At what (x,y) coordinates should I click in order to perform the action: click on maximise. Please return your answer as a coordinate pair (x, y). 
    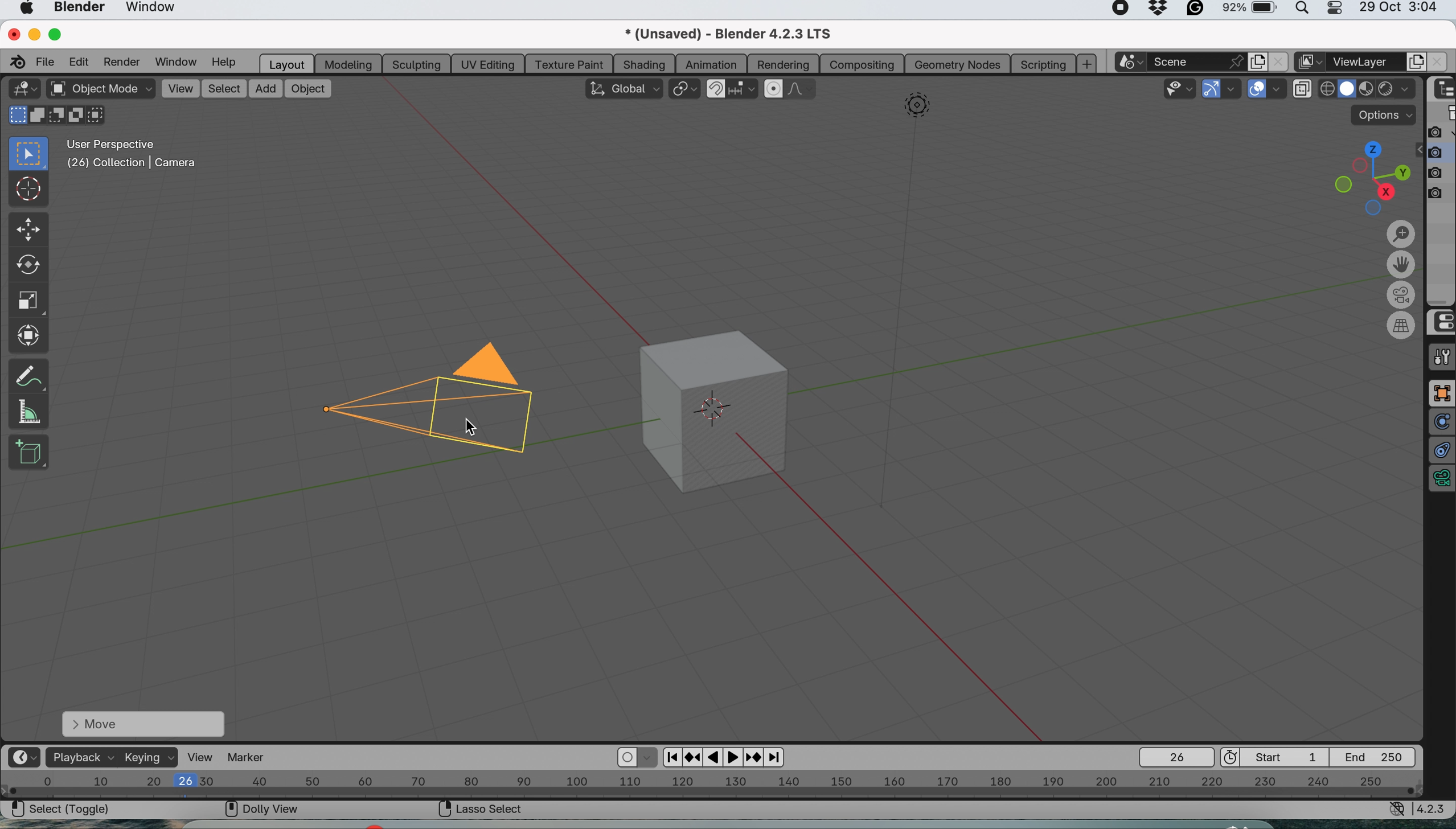
    Looking at the image, I should click on (59, 34).